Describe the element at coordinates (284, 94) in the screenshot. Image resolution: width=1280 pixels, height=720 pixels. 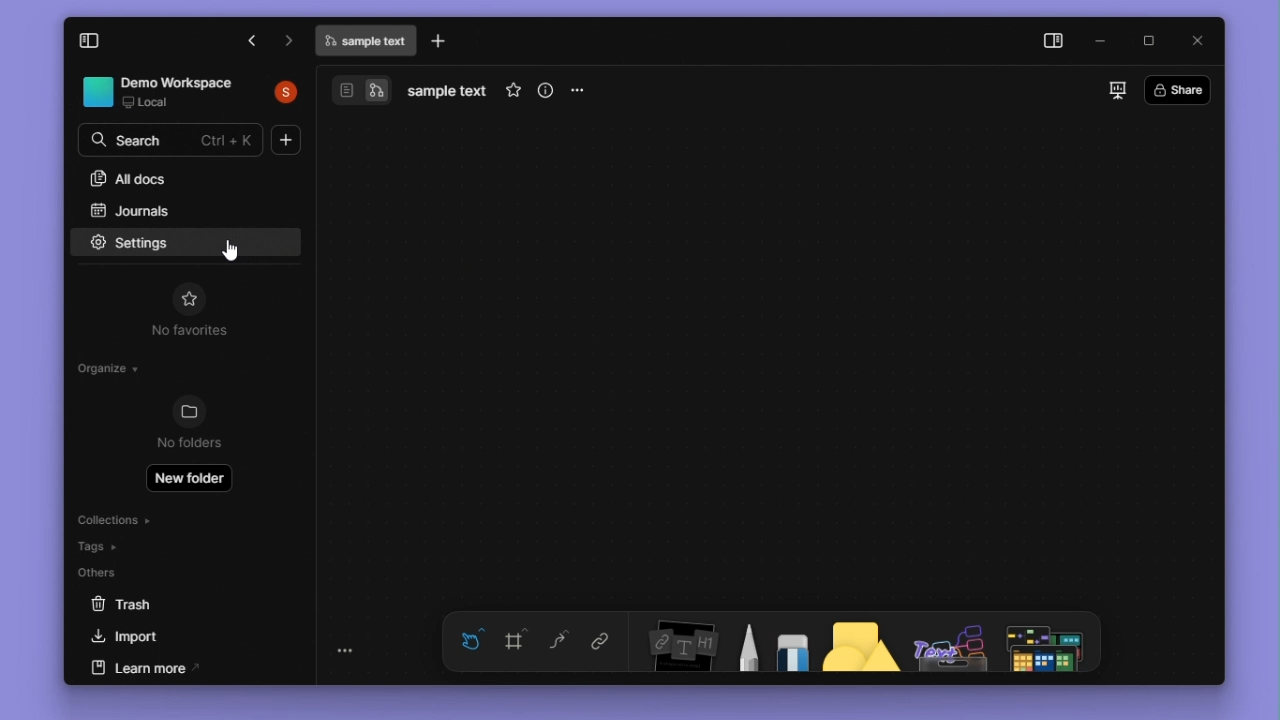
I see `account icon` at that location.